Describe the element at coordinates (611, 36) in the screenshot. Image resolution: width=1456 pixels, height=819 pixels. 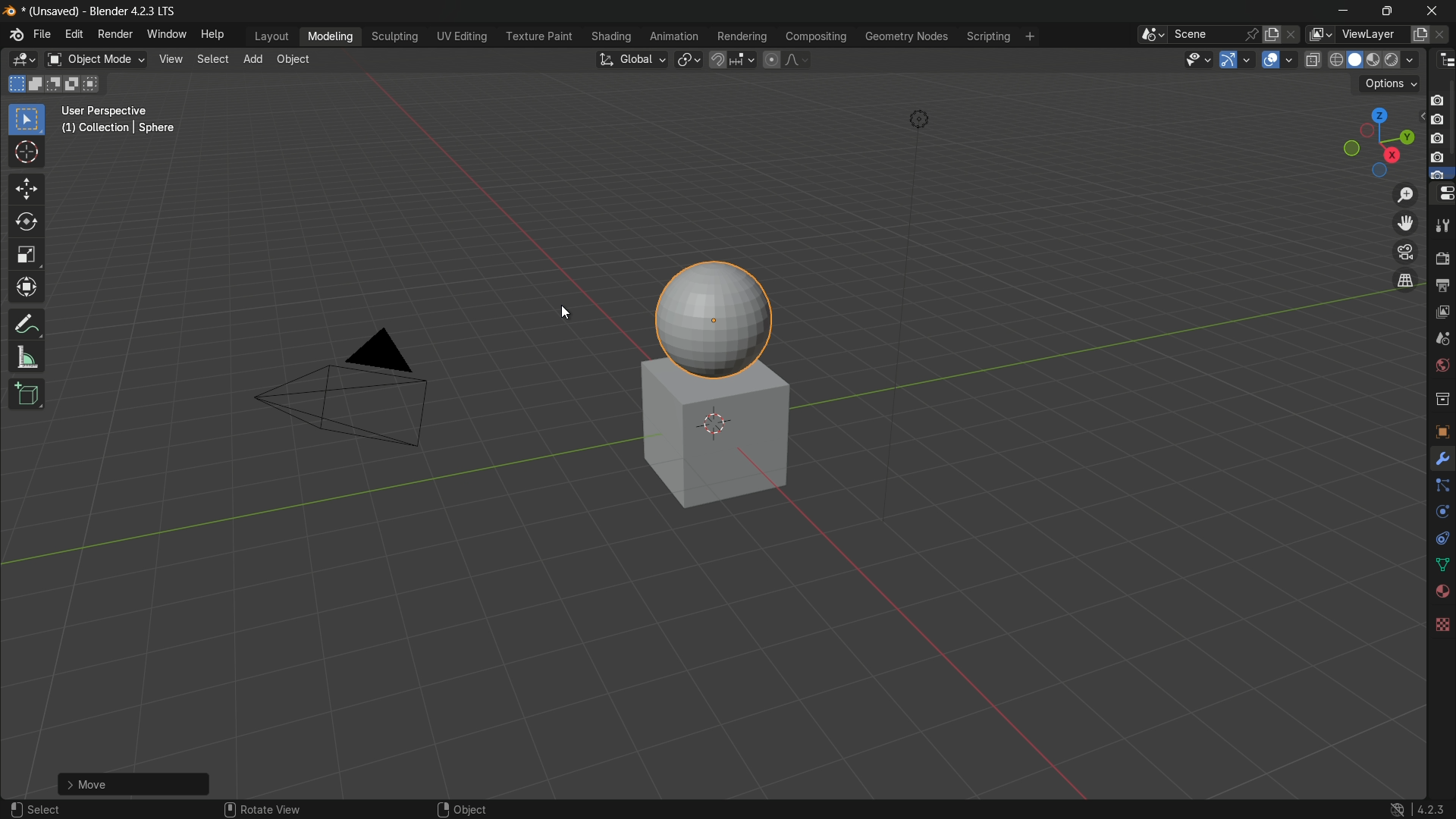
I see `shading menu` at that location.